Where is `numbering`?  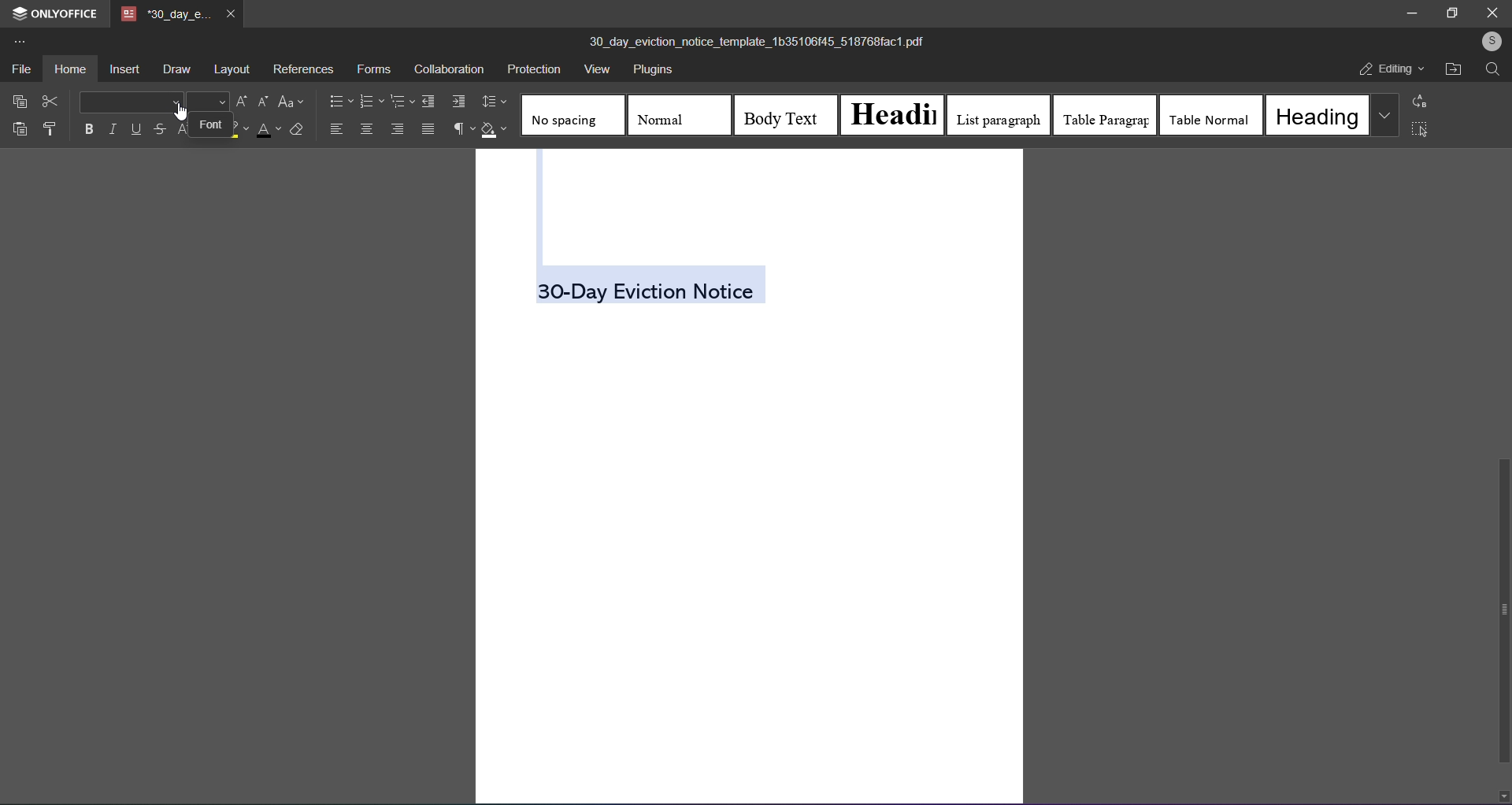
numbering is located at coordinates (372, 100).